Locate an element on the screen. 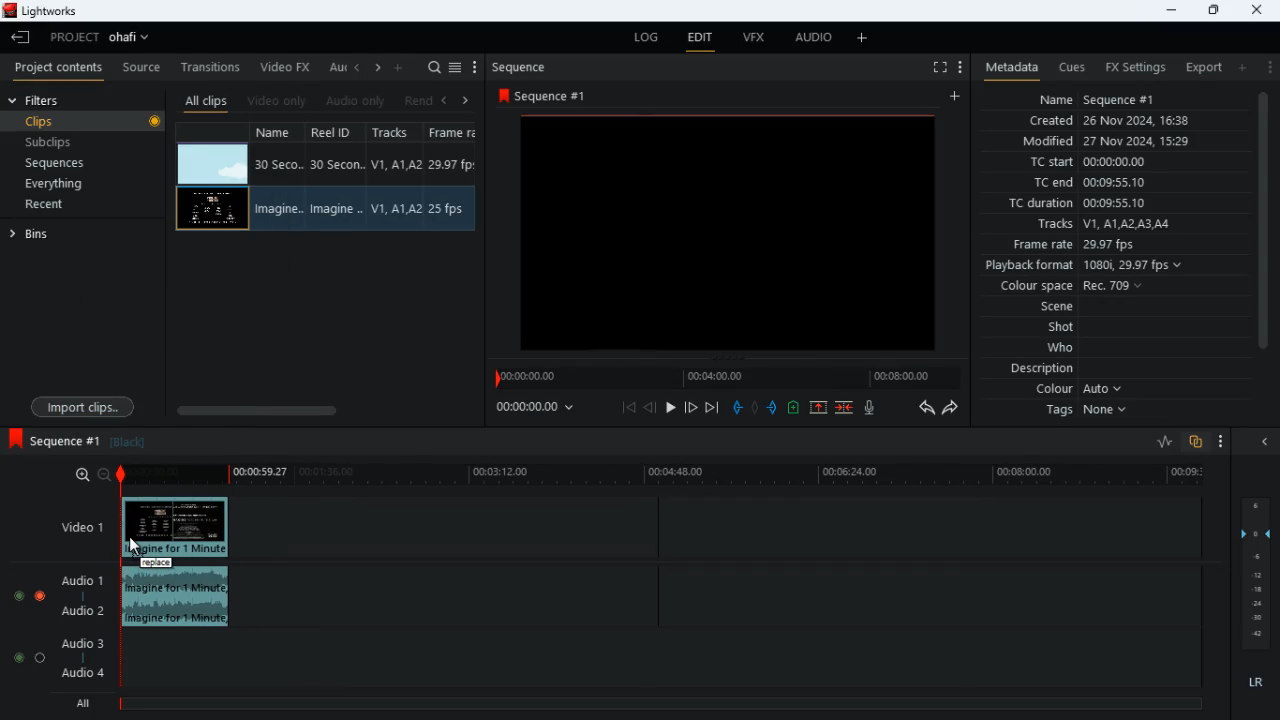  close is located at coordinates (1269, 443).